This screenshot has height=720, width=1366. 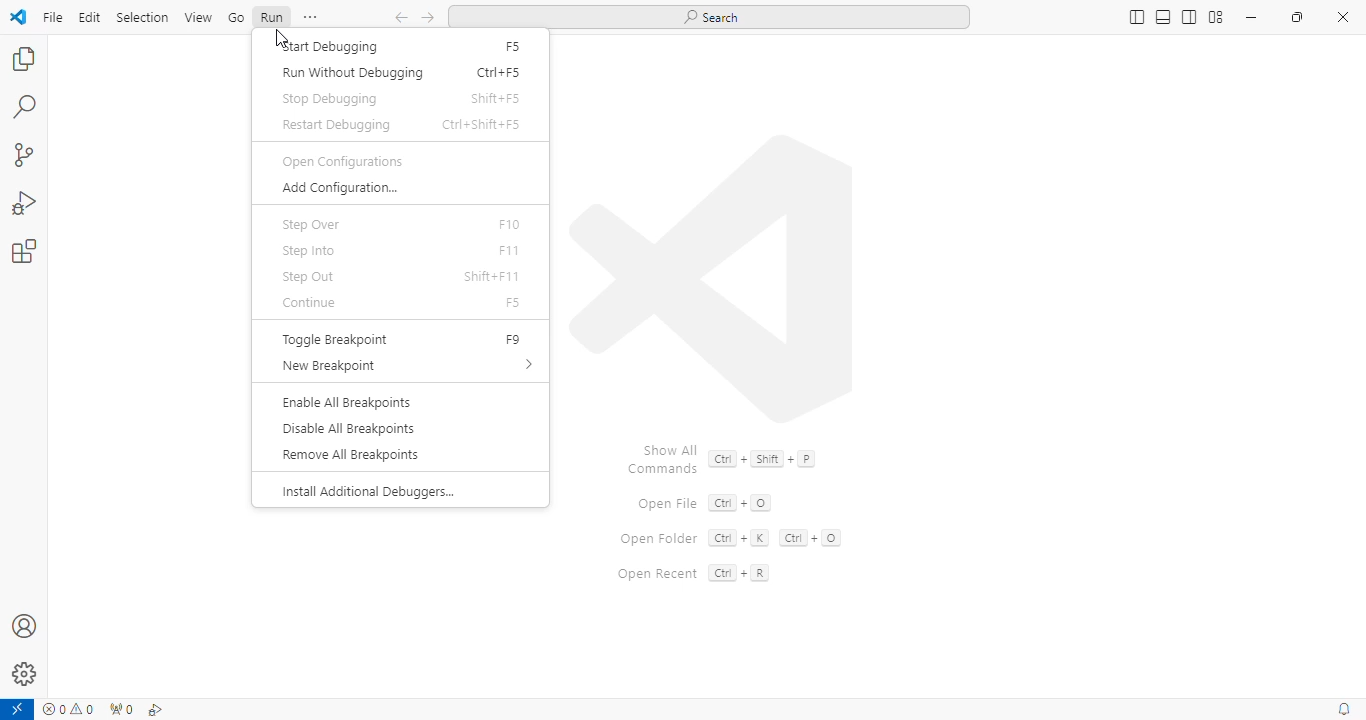 What do you see at coordinates (26, 674) in the screenshot?
I see `manage` at bounding box center [26, 674].